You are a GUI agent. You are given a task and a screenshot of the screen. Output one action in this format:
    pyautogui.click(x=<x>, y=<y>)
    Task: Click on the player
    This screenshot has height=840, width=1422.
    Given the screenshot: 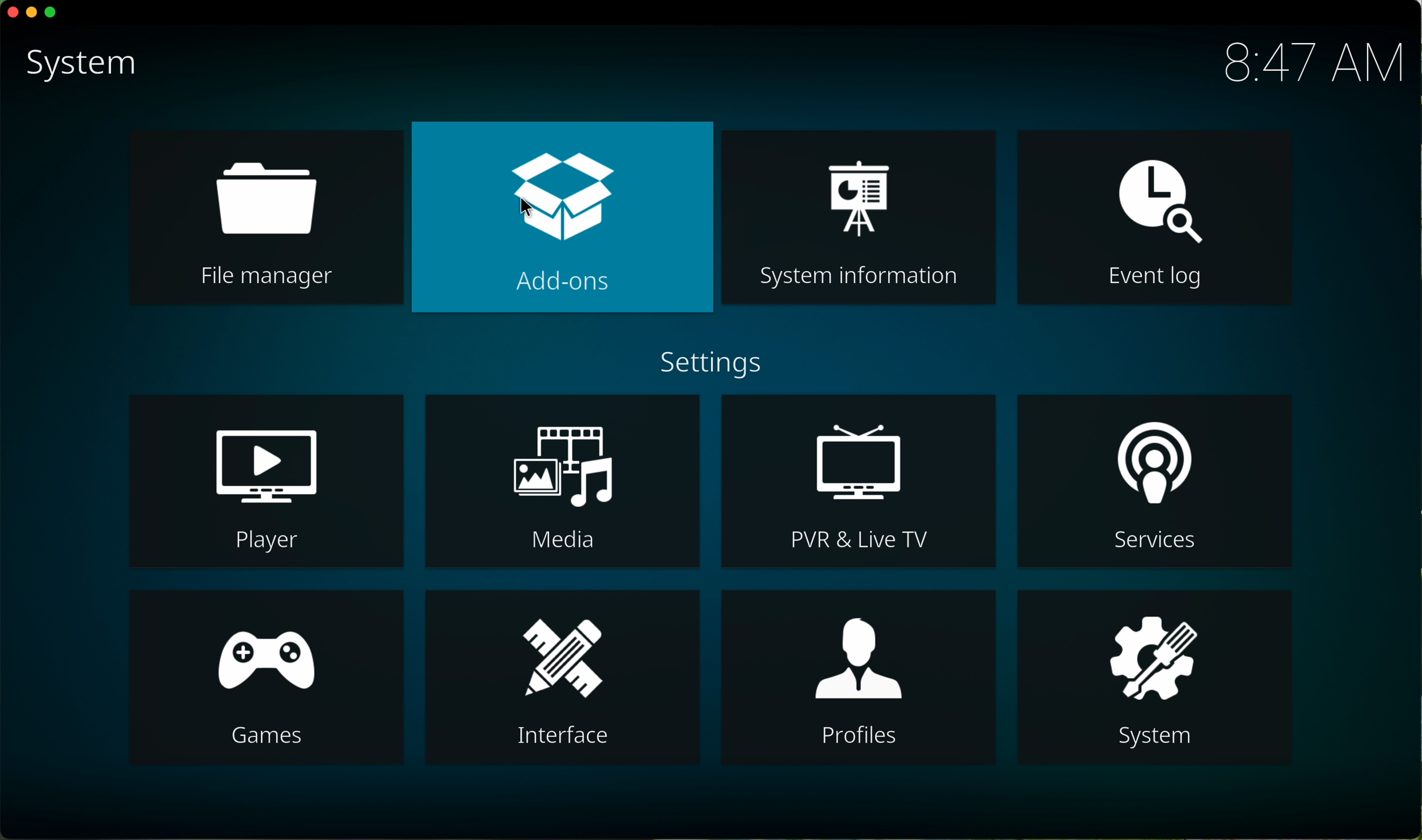 What is the action you would take?
    pyautogui.click(x=268, y=479)
    